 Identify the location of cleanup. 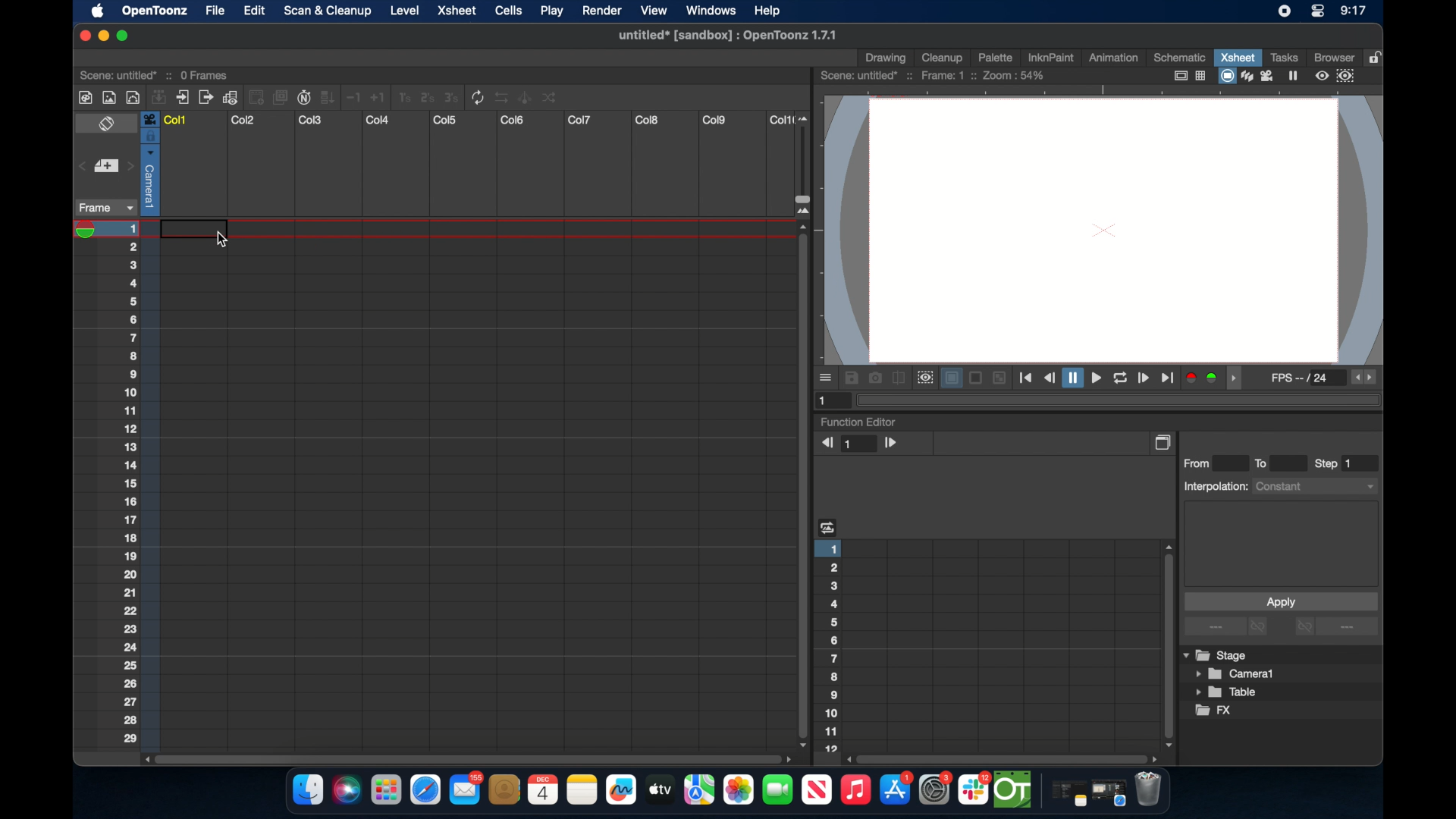
(943, 56).